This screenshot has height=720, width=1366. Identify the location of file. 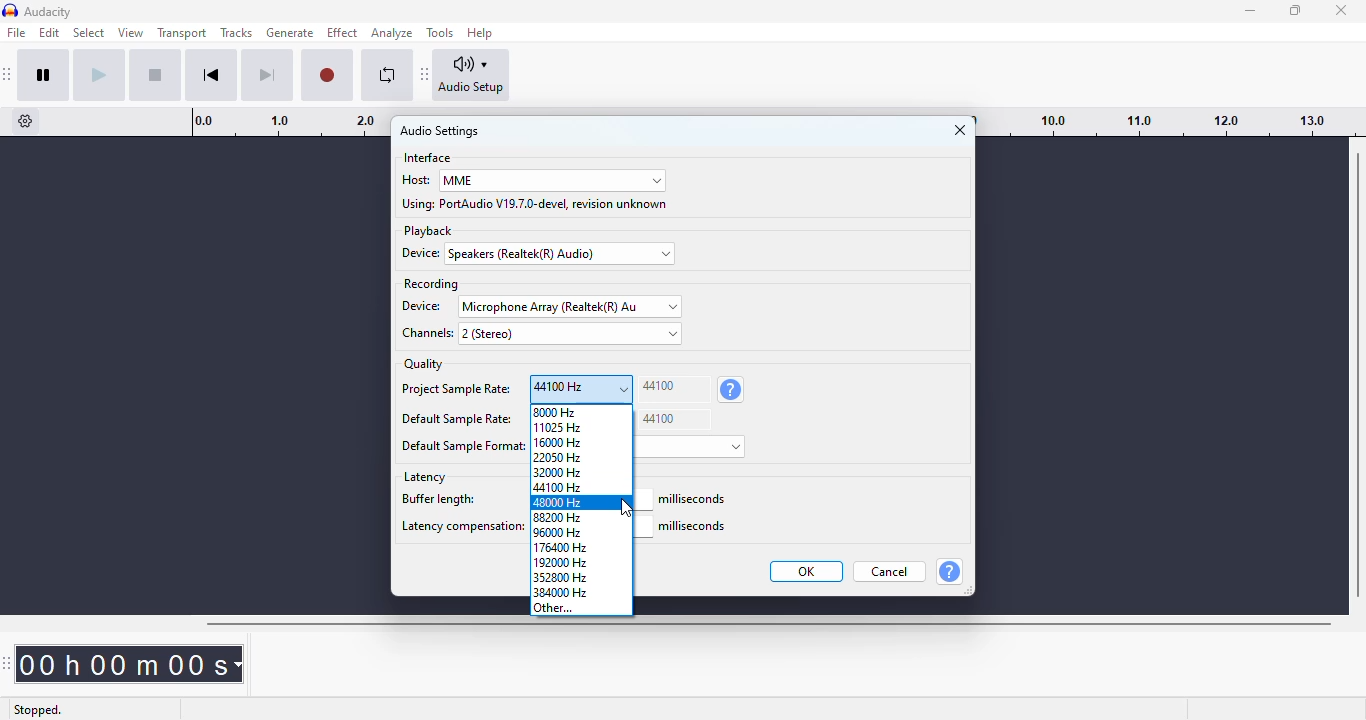
(17, 32).